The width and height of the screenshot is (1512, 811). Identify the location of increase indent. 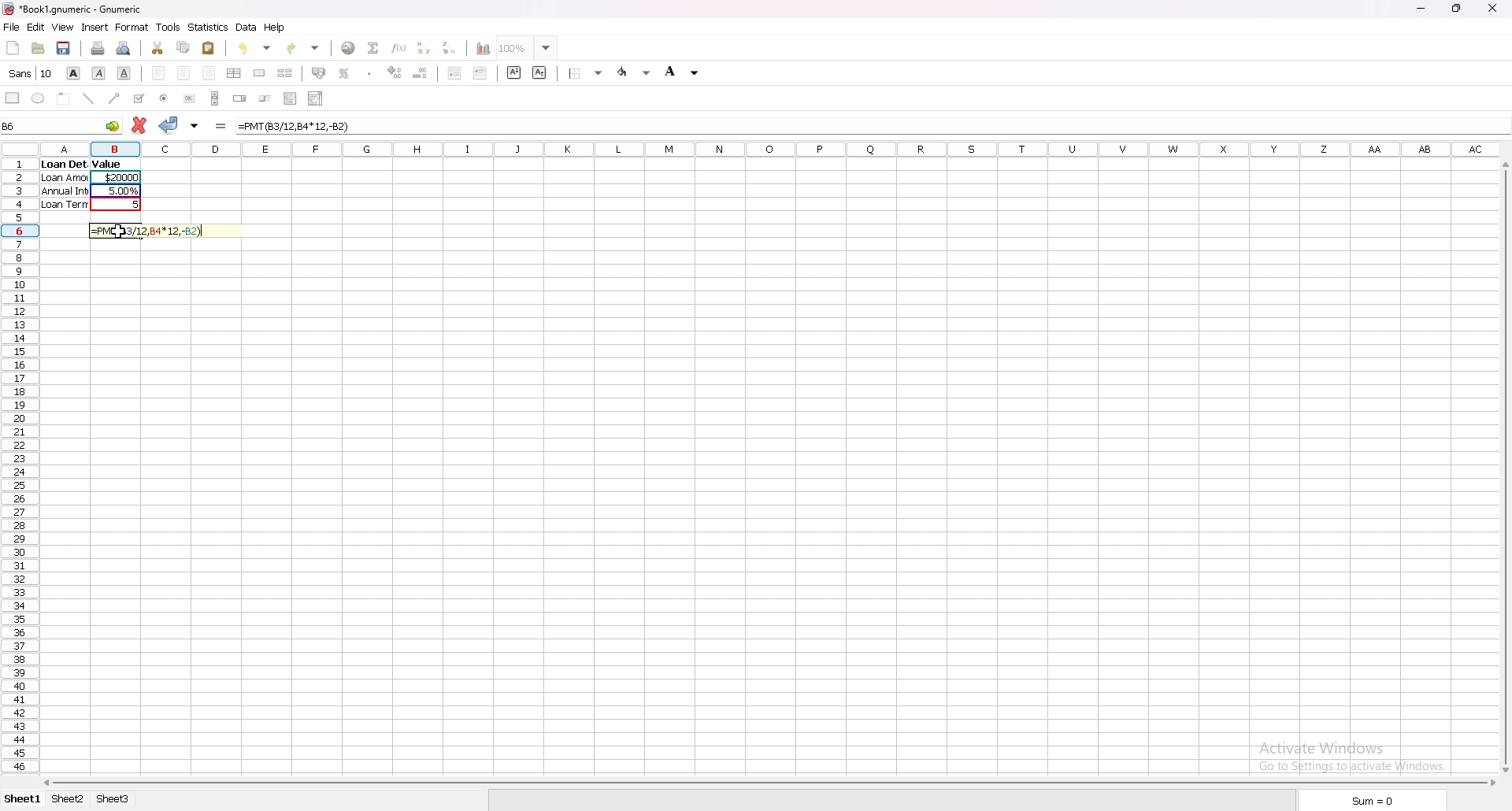
(480, 73).